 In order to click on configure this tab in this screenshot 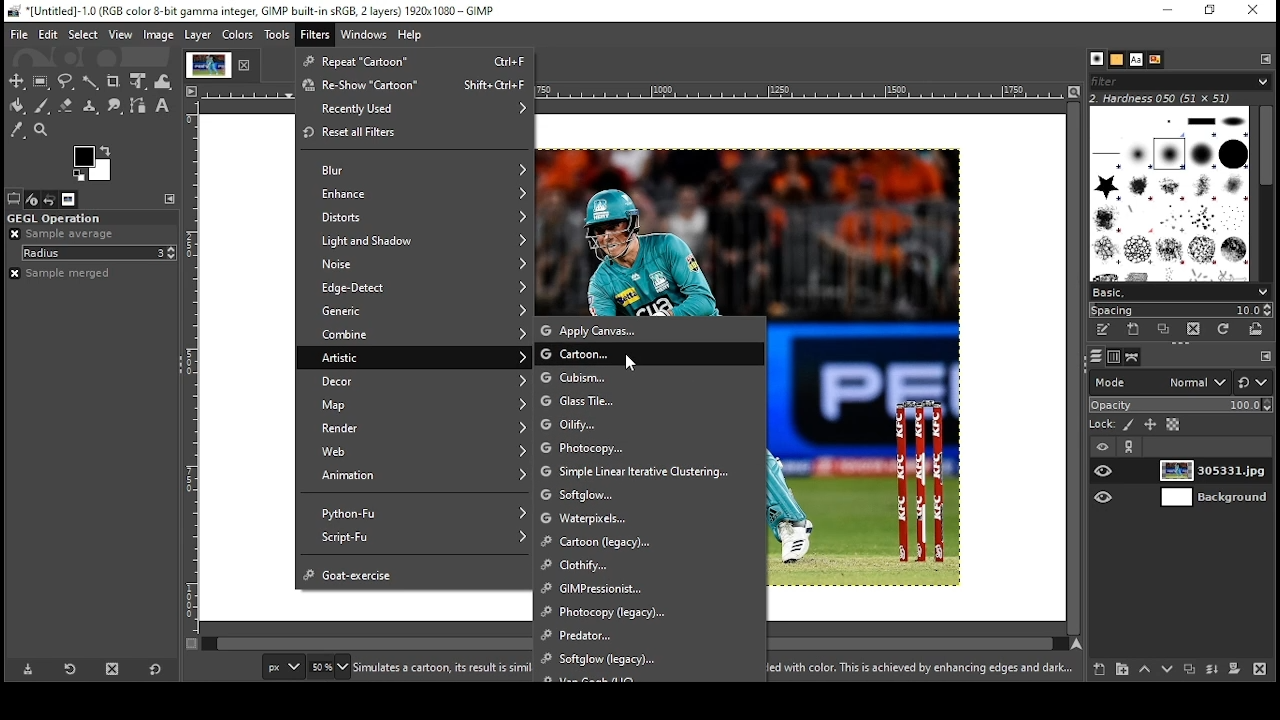, I will do `click(1264, 358)`.